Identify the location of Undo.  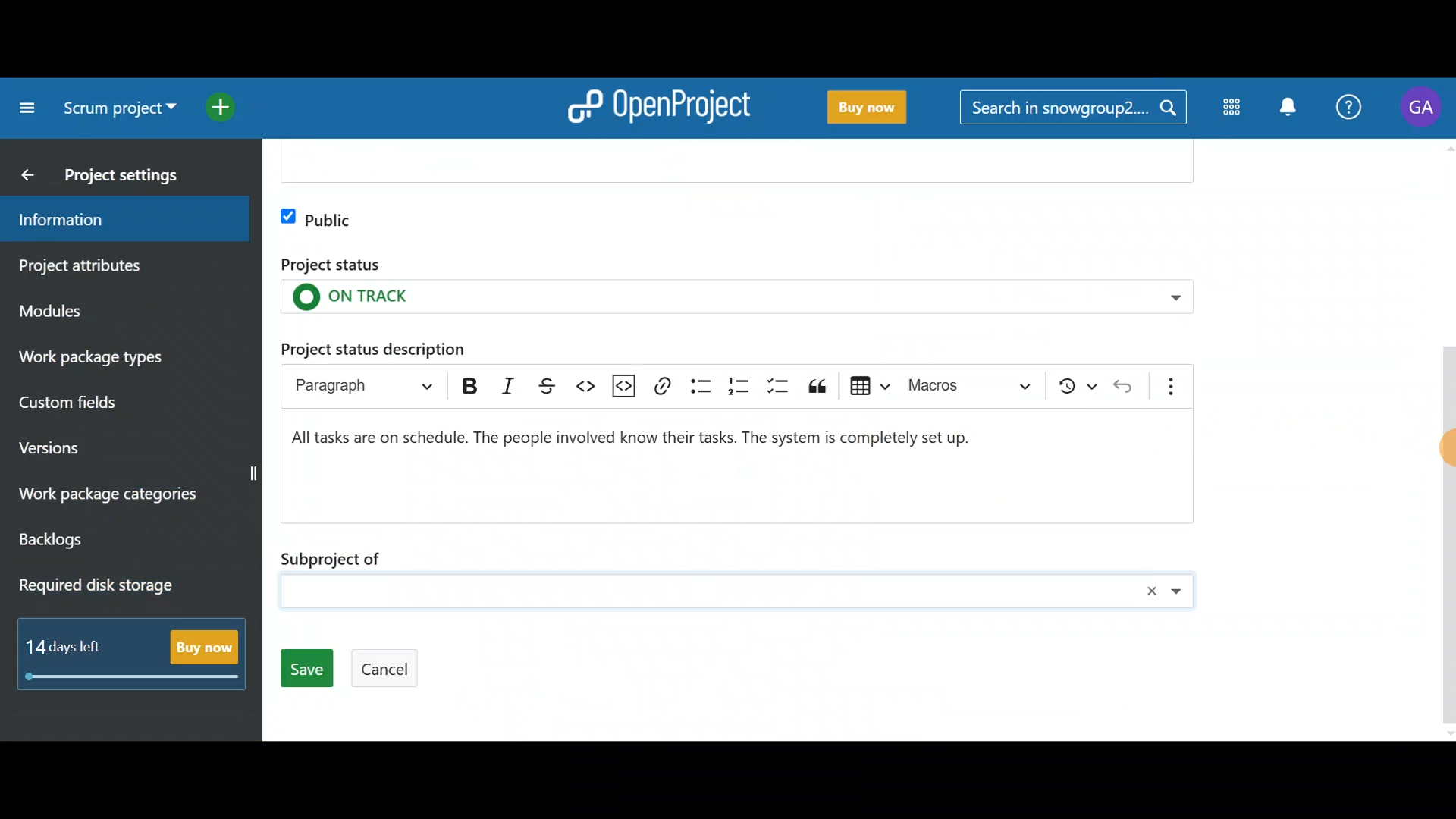
(1128, 384).